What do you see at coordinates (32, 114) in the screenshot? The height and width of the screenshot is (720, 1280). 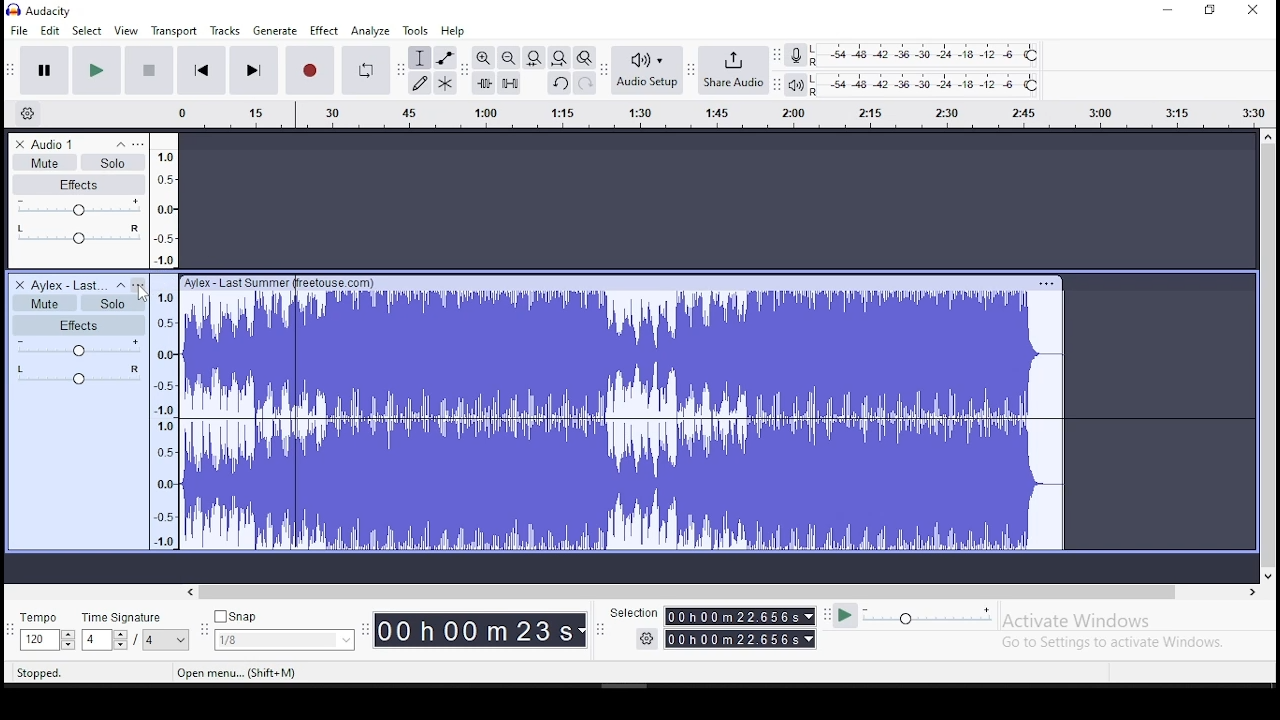 I see `timeline options` at bounding box center [32, 114].